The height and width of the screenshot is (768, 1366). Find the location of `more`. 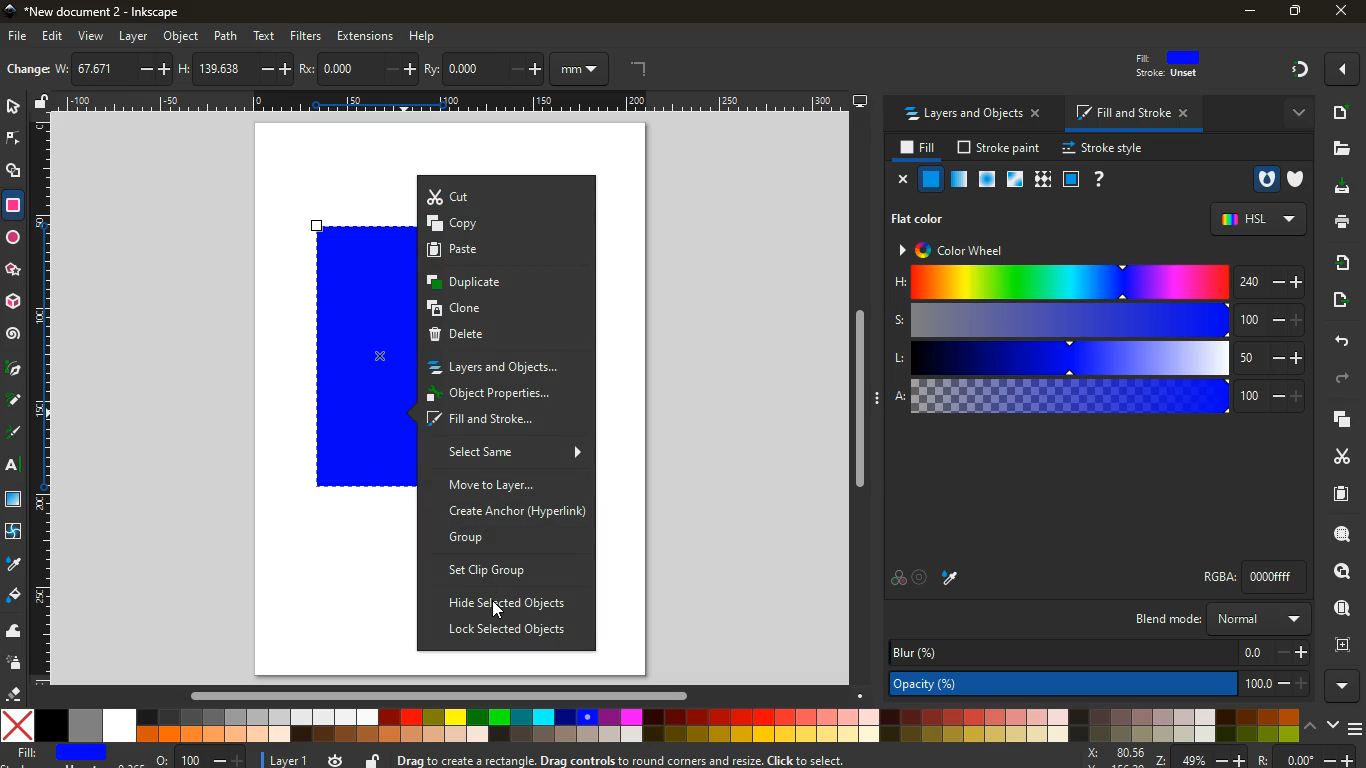

more is located at coordinates (1300, 116).